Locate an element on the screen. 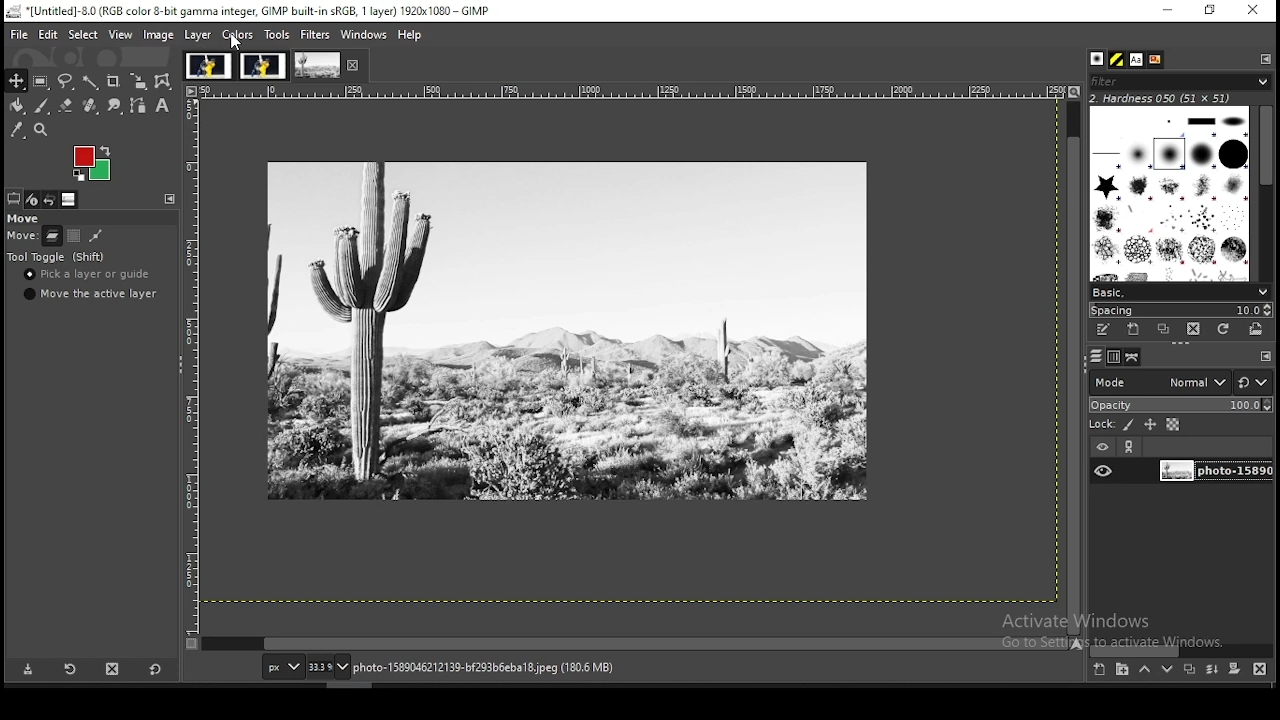 The image size is (1280, 720). edit brush is located at coordinates (1105, 330).